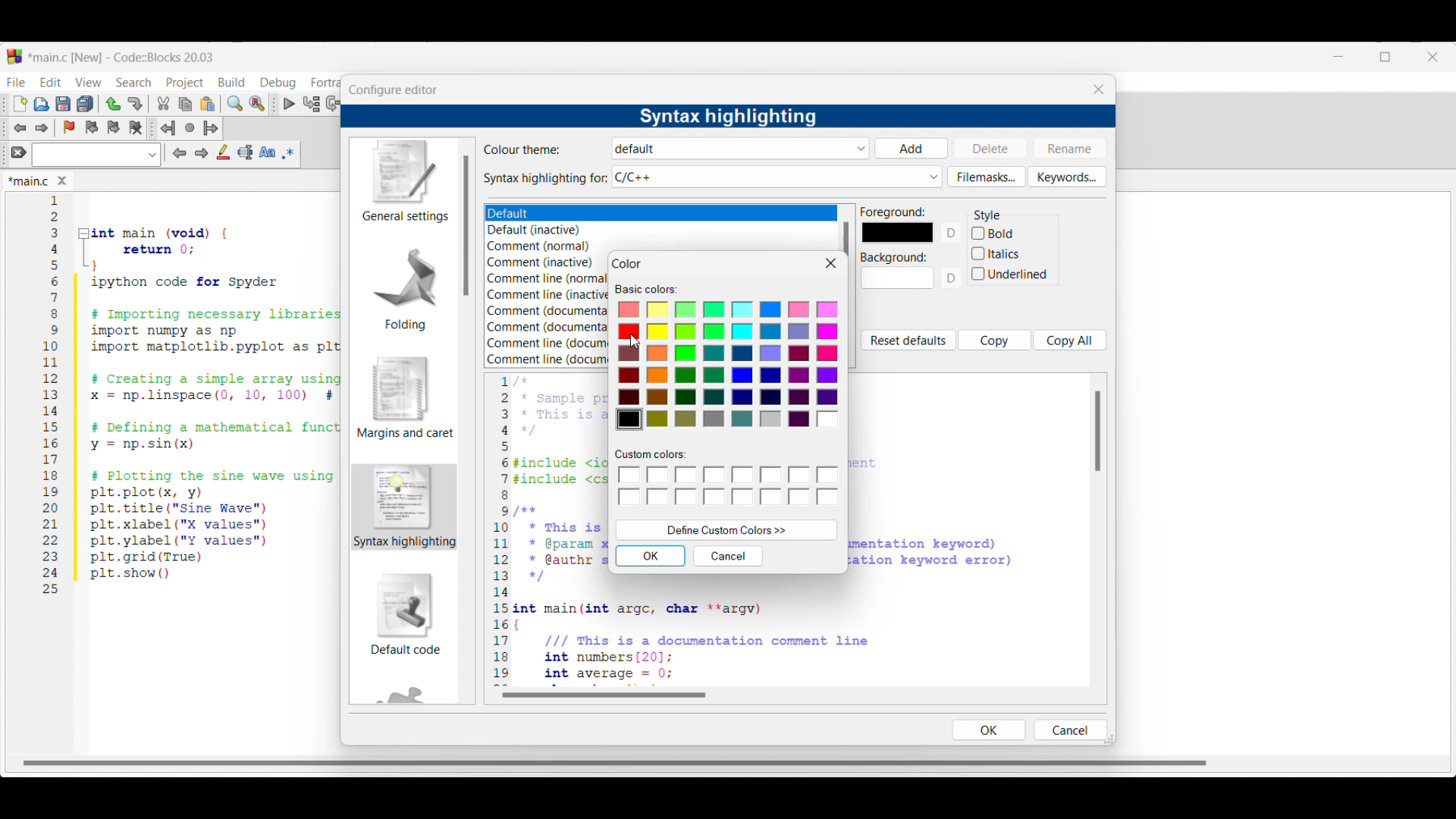 The image size is (1456, 819). I want to click on Copy all, so click(1070, 340).